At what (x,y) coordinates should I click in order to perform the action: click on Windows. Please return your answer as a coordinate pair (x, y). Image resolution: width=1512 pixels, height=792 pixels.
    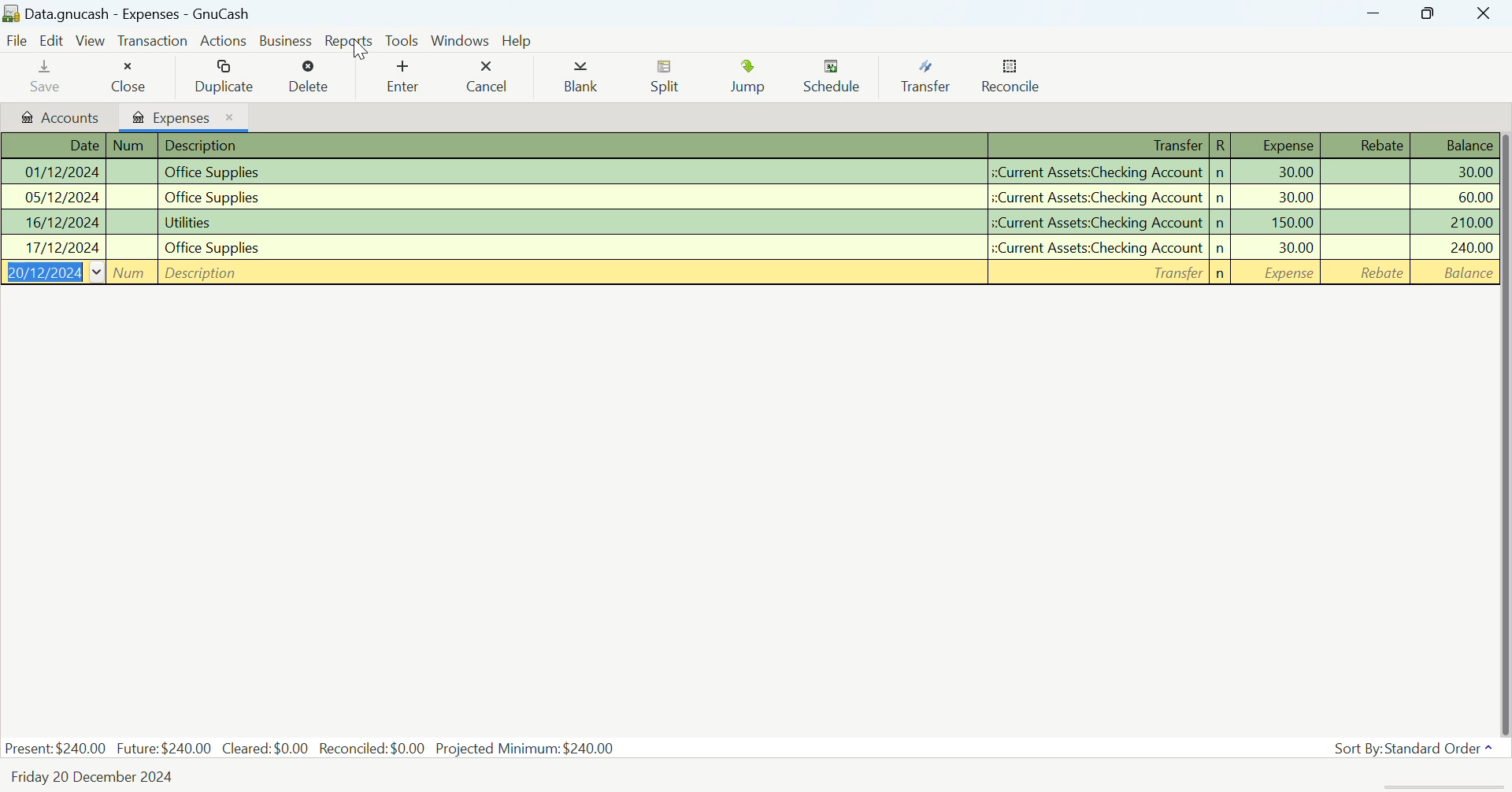
    Looking at the image, I should click on (460, 40).